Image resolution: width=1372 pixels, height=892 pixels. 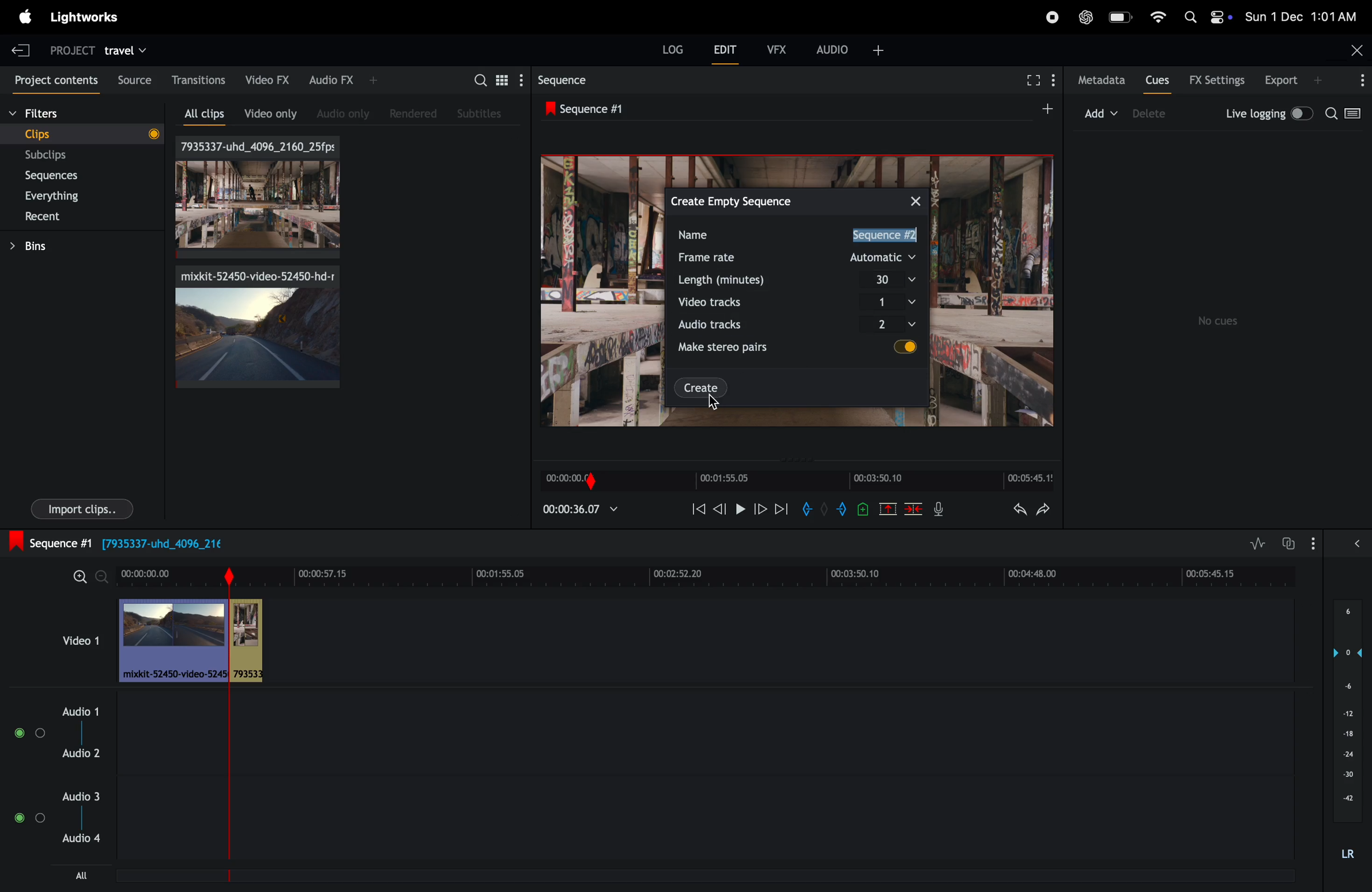 I want to click on pause play, so click(x=738, y=507).